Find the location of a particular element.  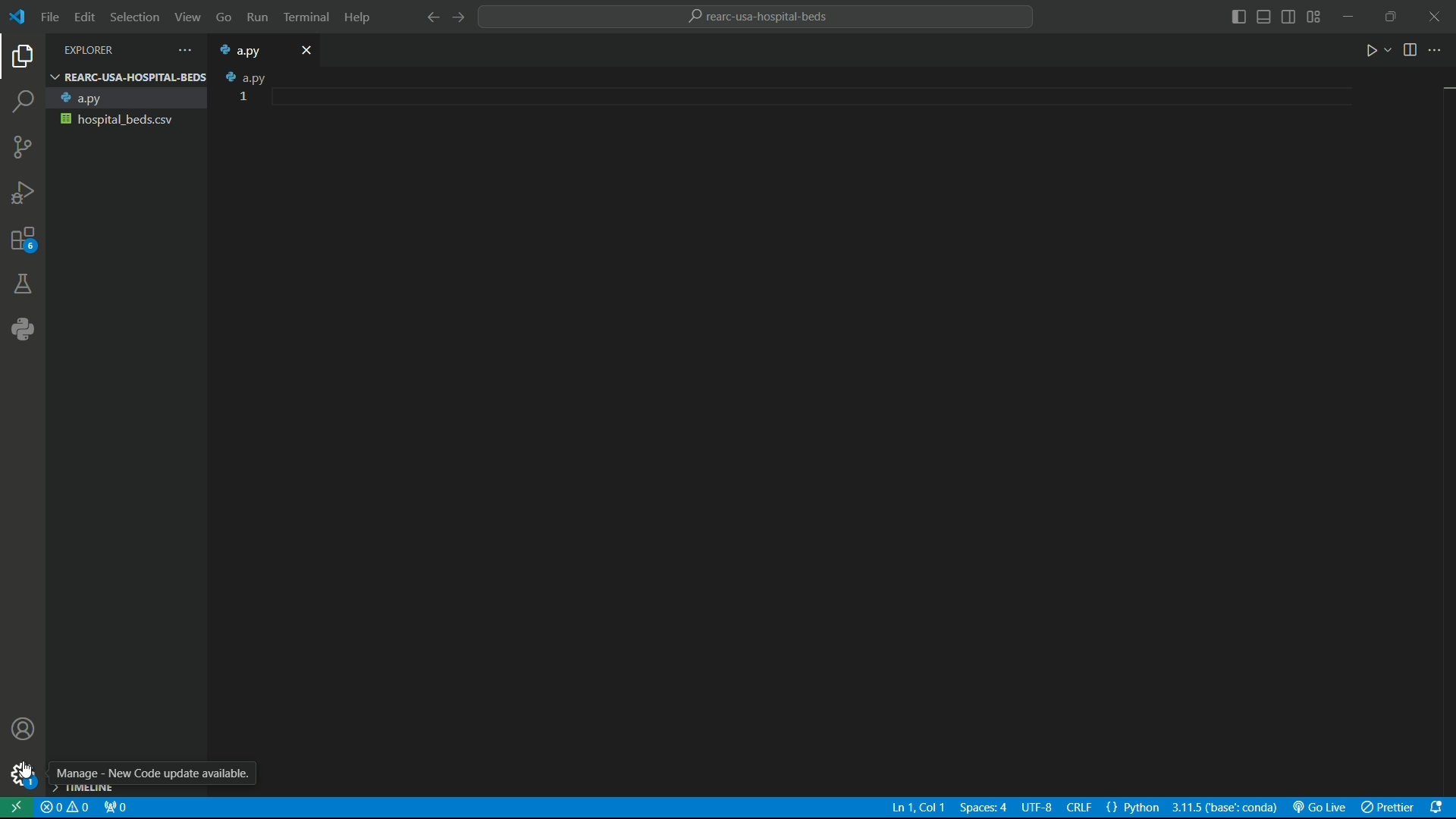

close file is located at coordinates (308, 49).